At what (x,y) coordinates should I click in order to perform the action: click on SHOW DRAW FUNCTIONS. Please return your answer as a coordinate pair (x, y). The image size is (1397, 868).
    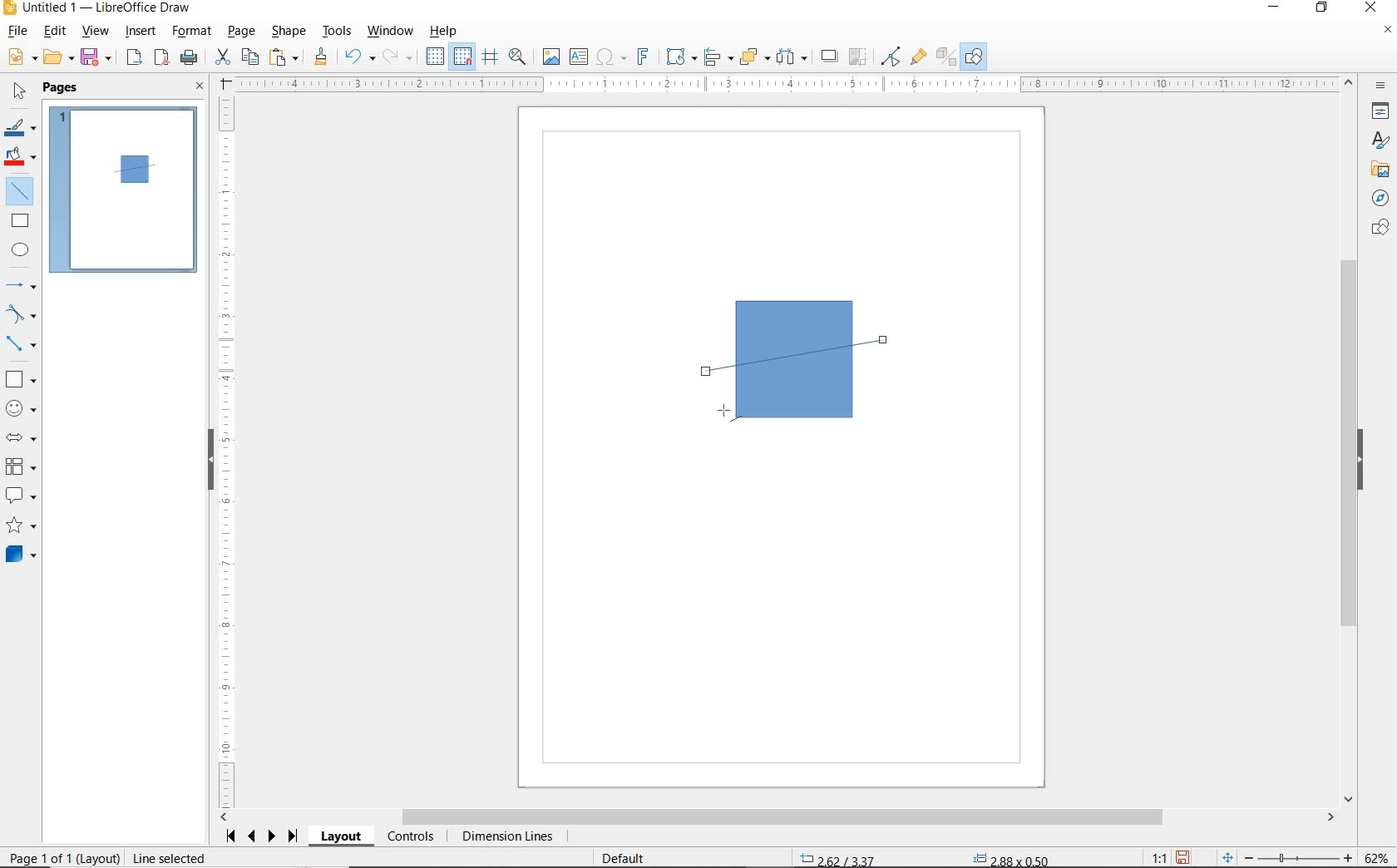
    Looking at the image, I should click on (975, 57).